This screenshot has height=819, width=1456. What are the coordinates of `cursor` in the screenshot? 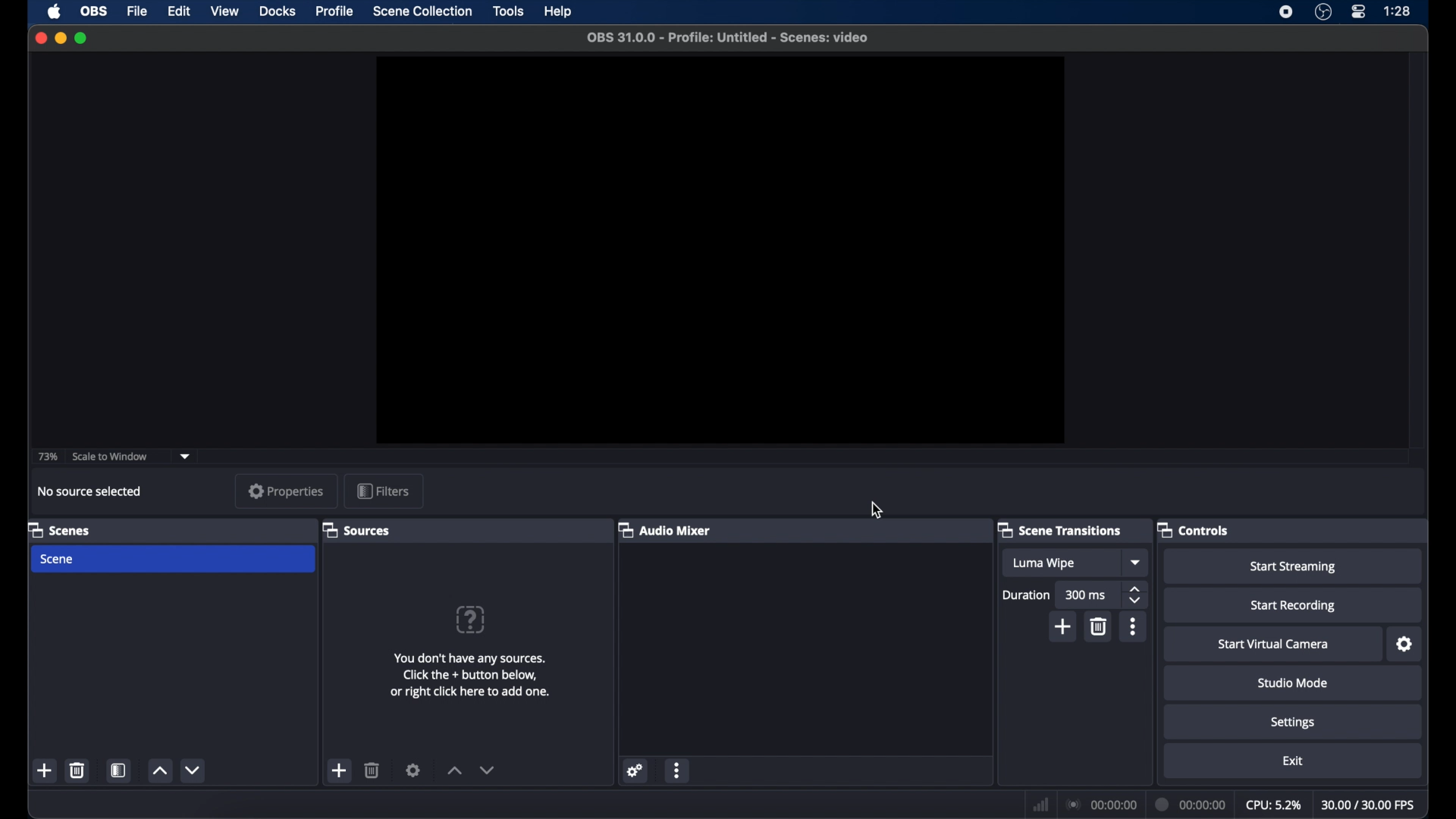 It's located at (877, 510).